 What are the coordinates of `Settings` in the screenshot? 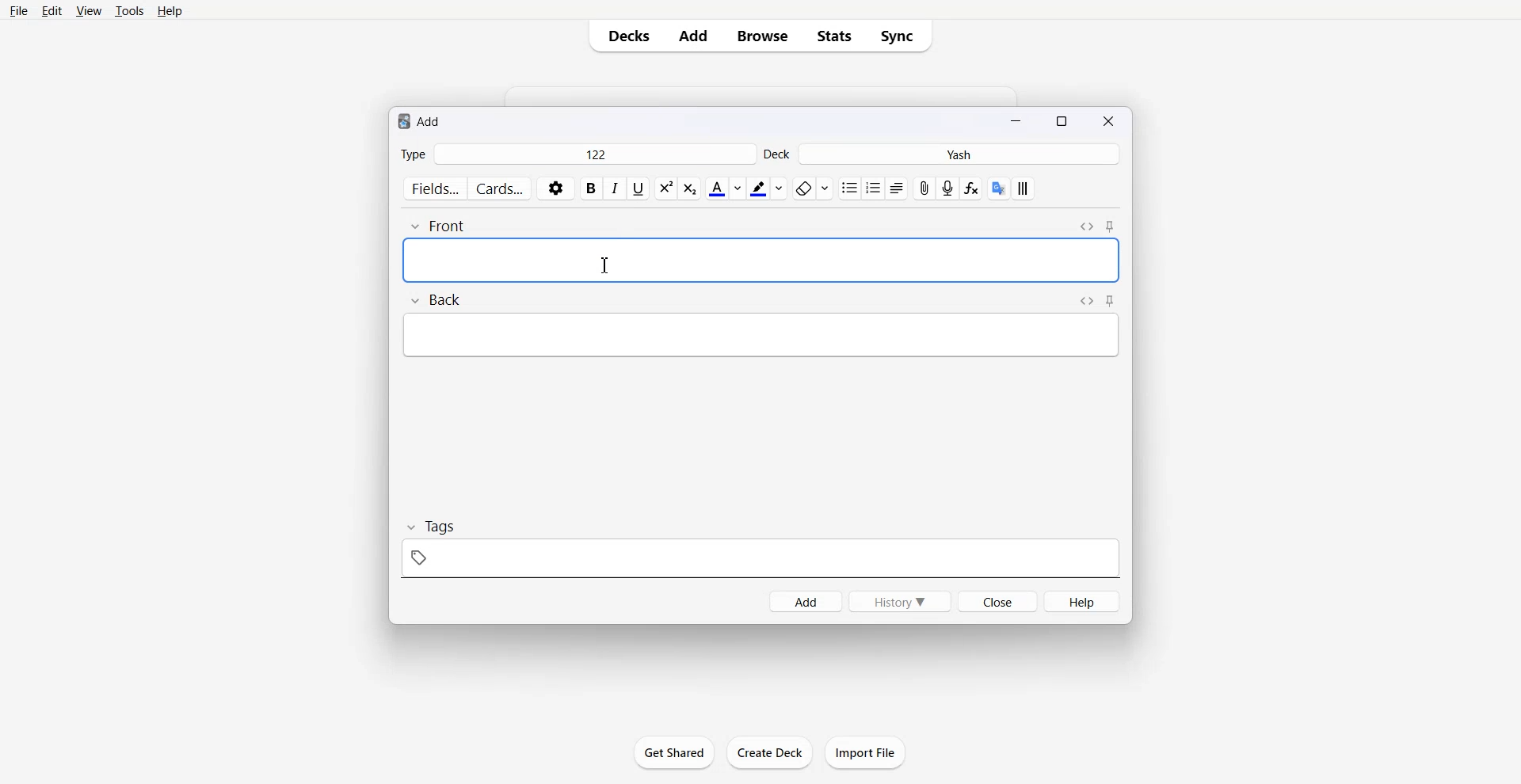 It's located at (556, 188).